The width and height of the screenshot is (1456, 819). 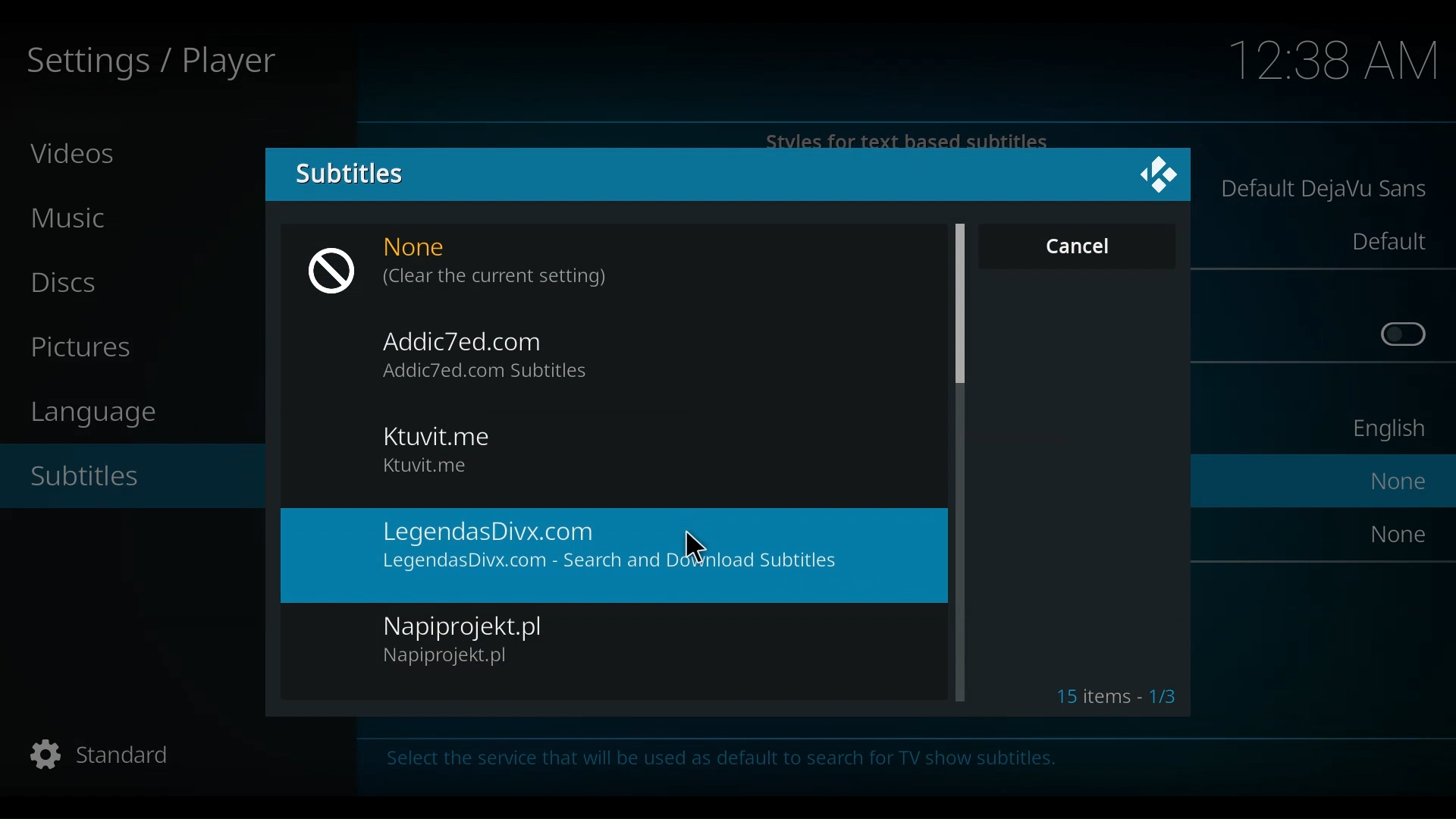 What do you see at coordinates (469, 339) in the screenshot?
I see `Addic7ed.com` at bounding box center [469, 339].